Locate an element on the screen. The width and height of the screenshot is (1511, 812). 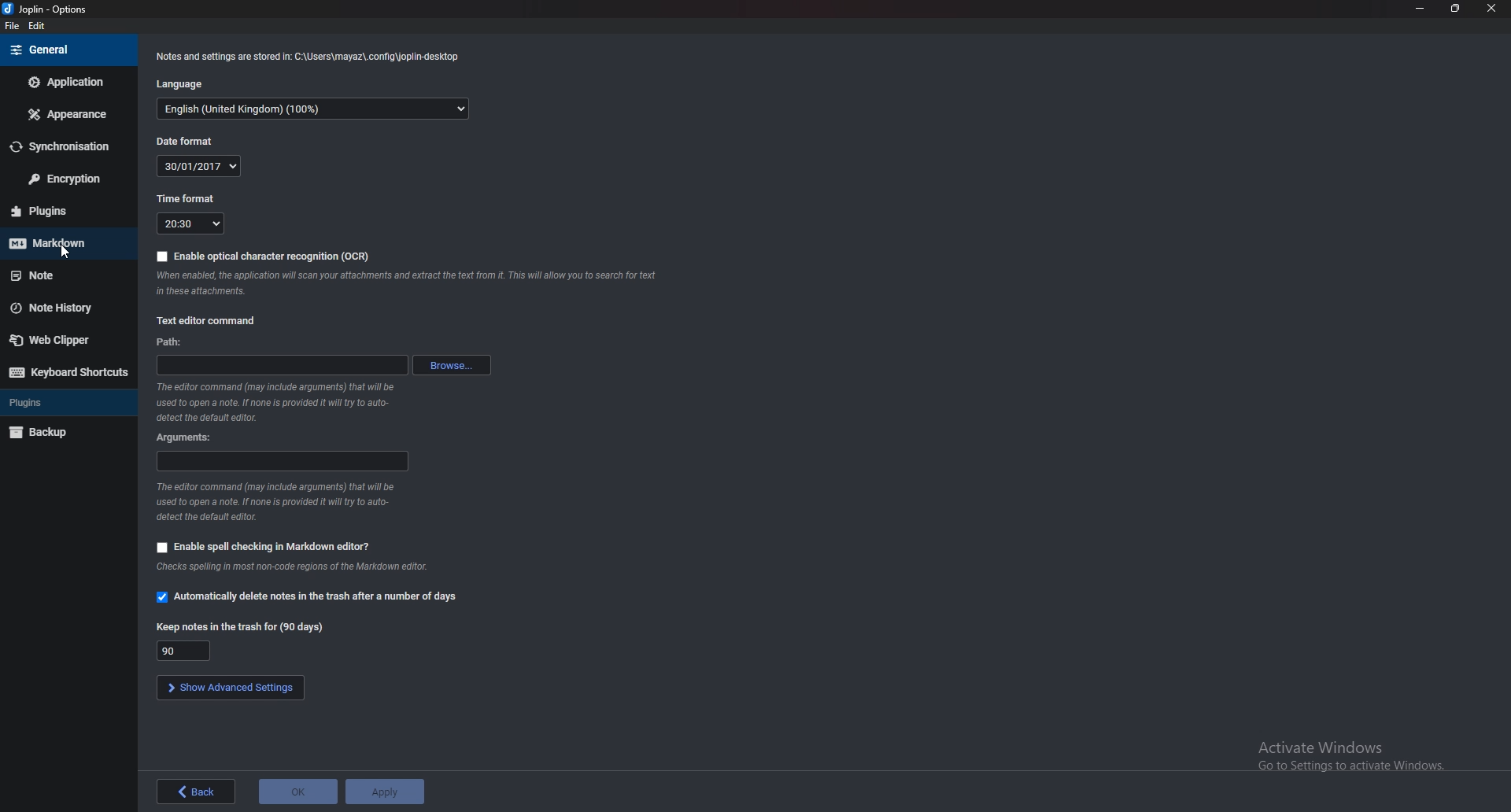
ok is located at coordinates (299, 792).